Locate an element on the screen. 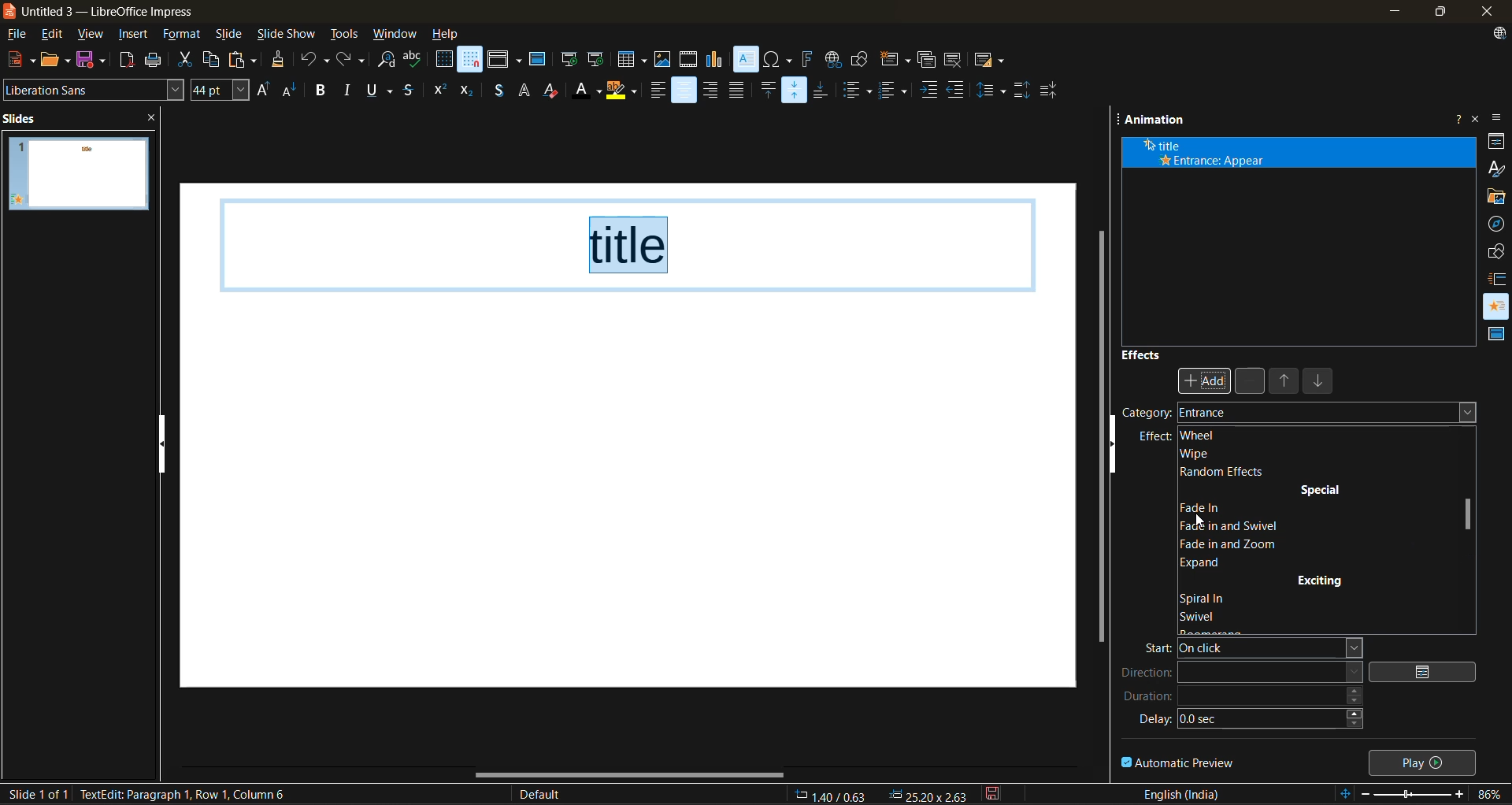 The image size is (1512, 805). hide is located at coordinates (1119, 453).